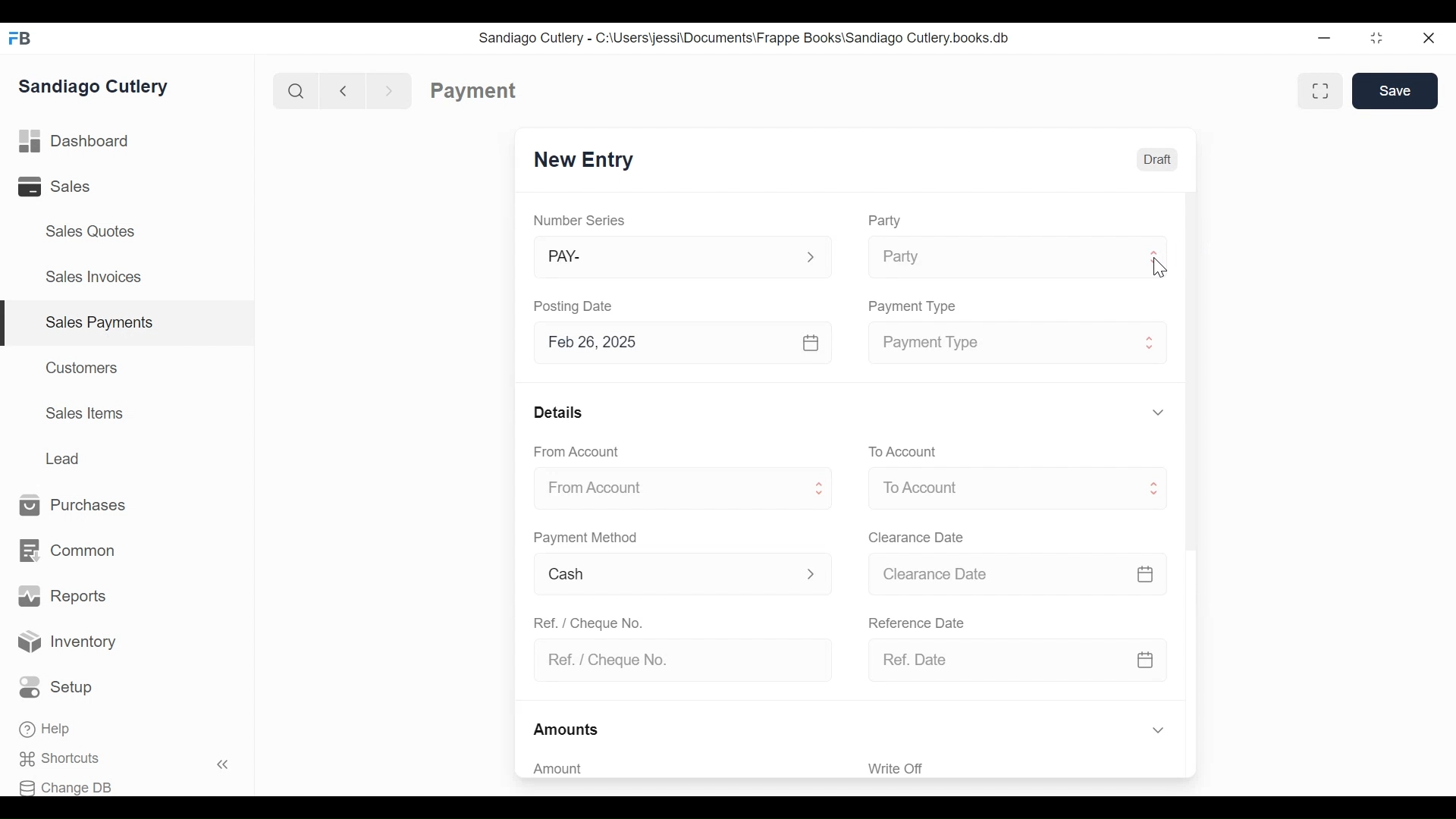 This screenshot has width=1456, height=819. Describe the element at coordinates (1019, 768) in the screenshot. I see `‘Write Off` at that location.